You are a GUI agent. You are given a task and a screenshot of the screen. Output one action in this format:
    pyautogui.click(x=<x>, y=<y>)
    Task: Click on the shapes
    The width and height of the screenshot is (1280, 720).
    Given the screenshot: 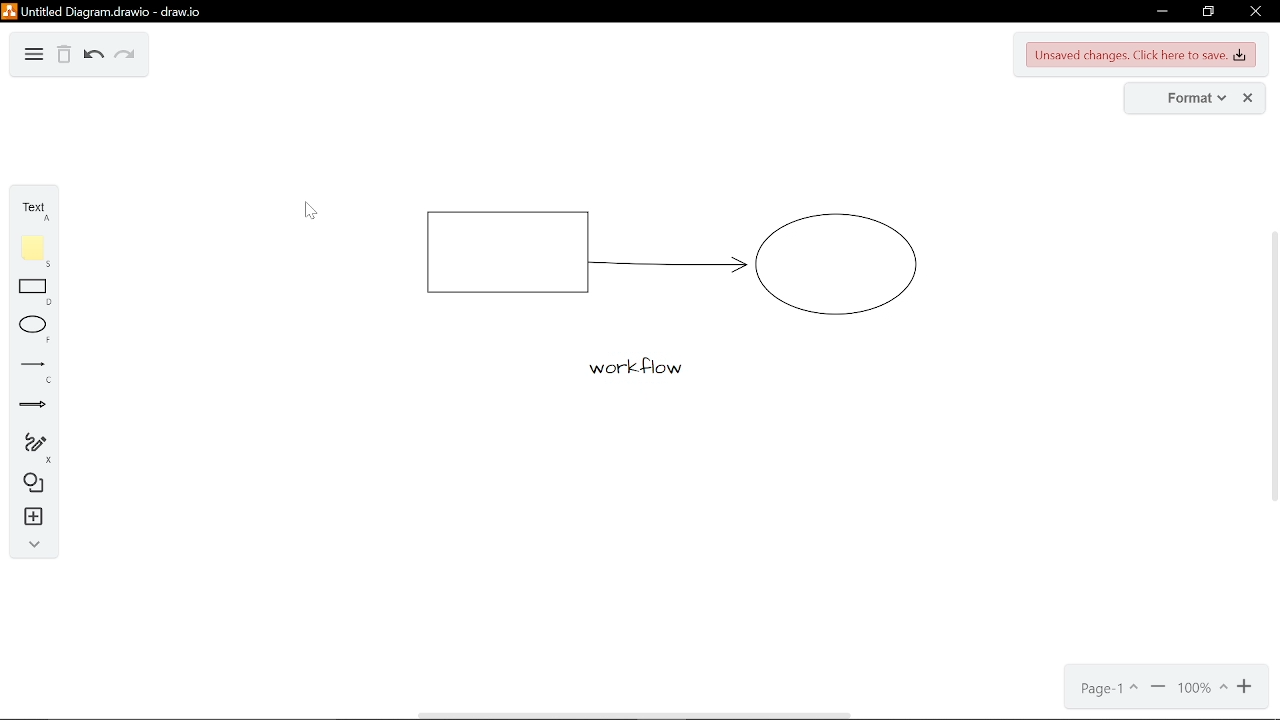 What is the action you would take?
    pyautogui.click(x=34, y=484)
    